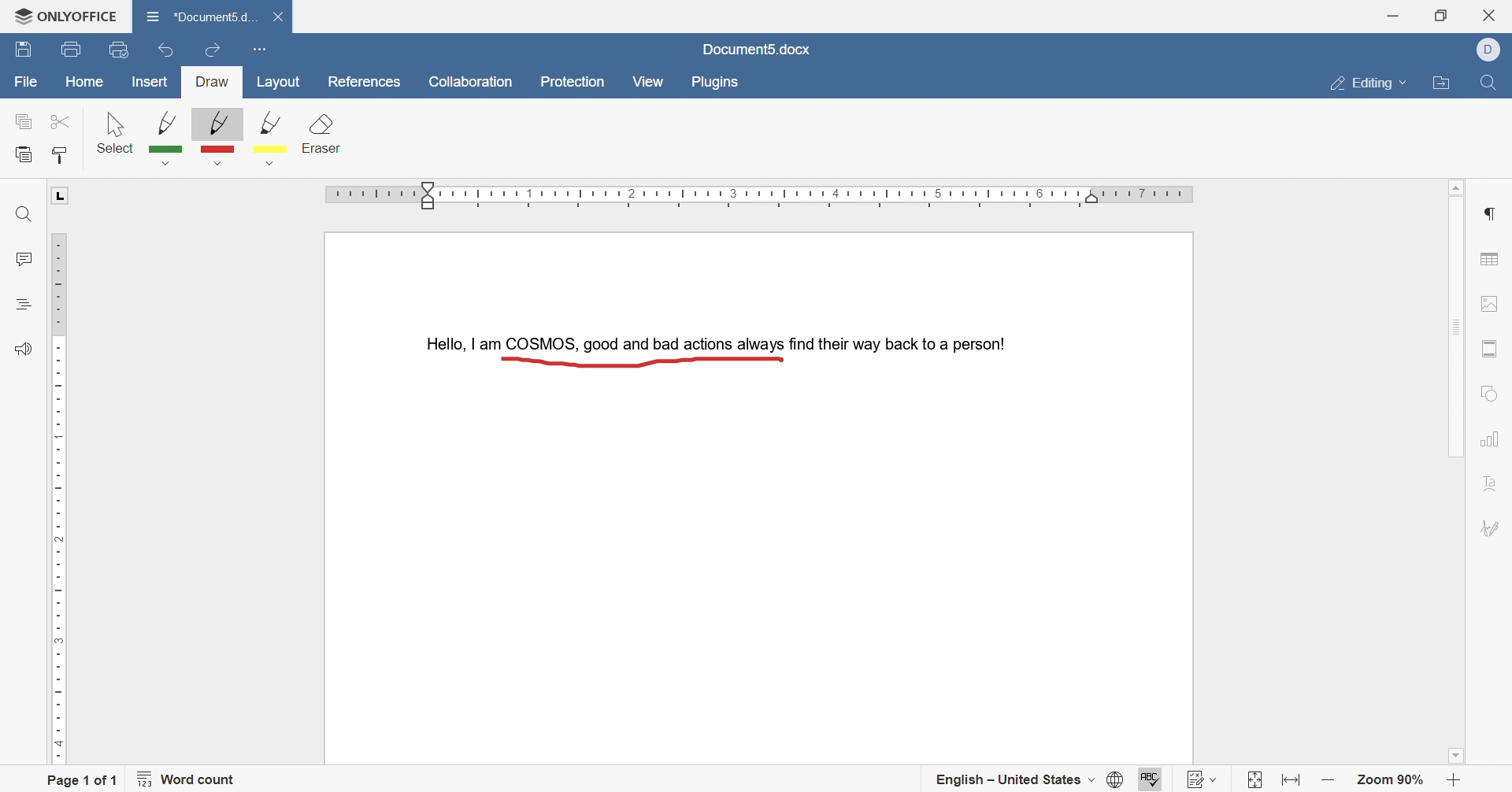 This screenshot has width=1512, height=792. Describe the element at coordinates (1493, 213) in the screenshot. I see `paragraph settings` at that location.